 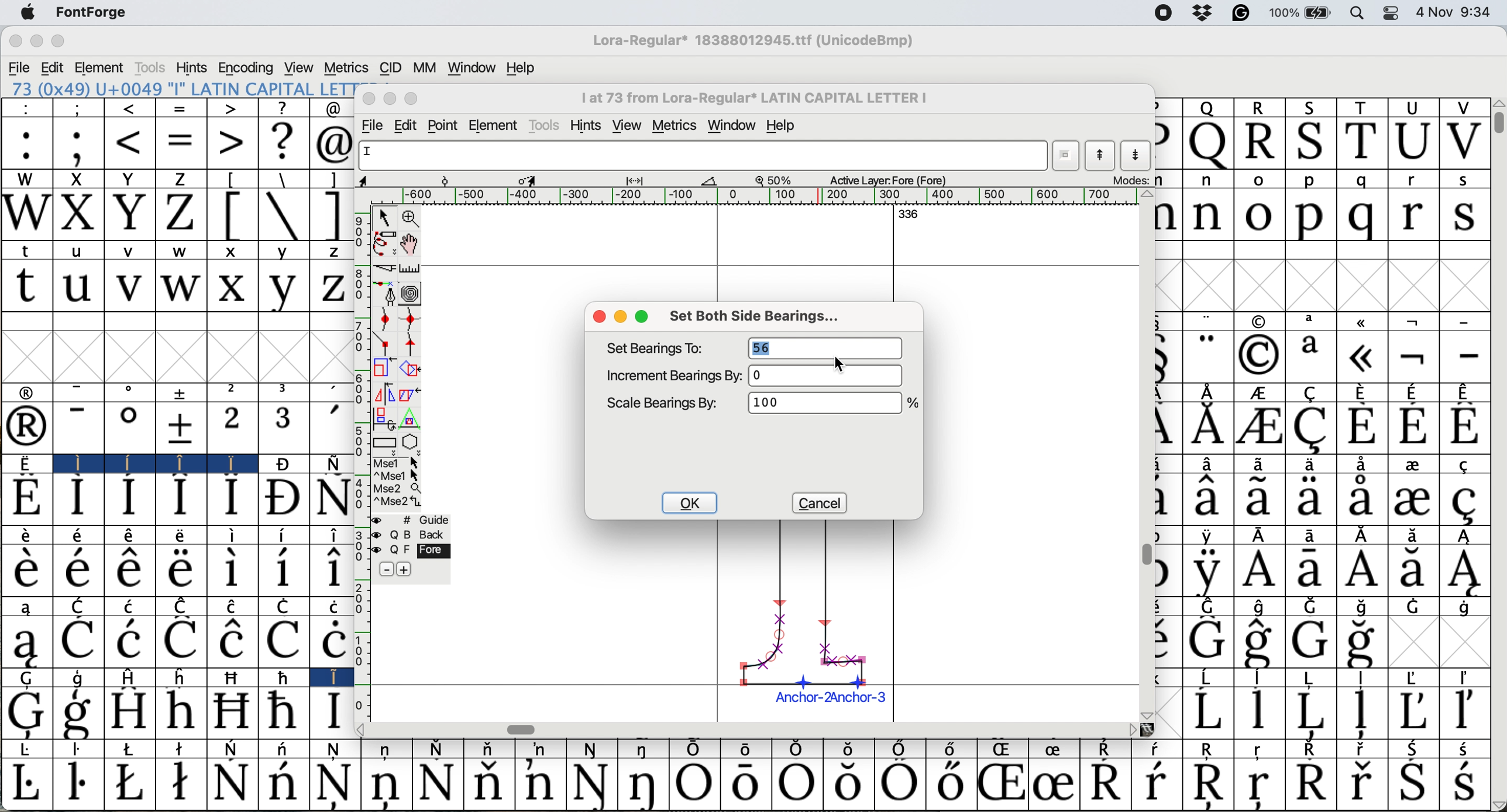 What do you see at coordinates (1266, 536) in the screenshot?
I see `Symbol` at bounding box center [1266, 536].